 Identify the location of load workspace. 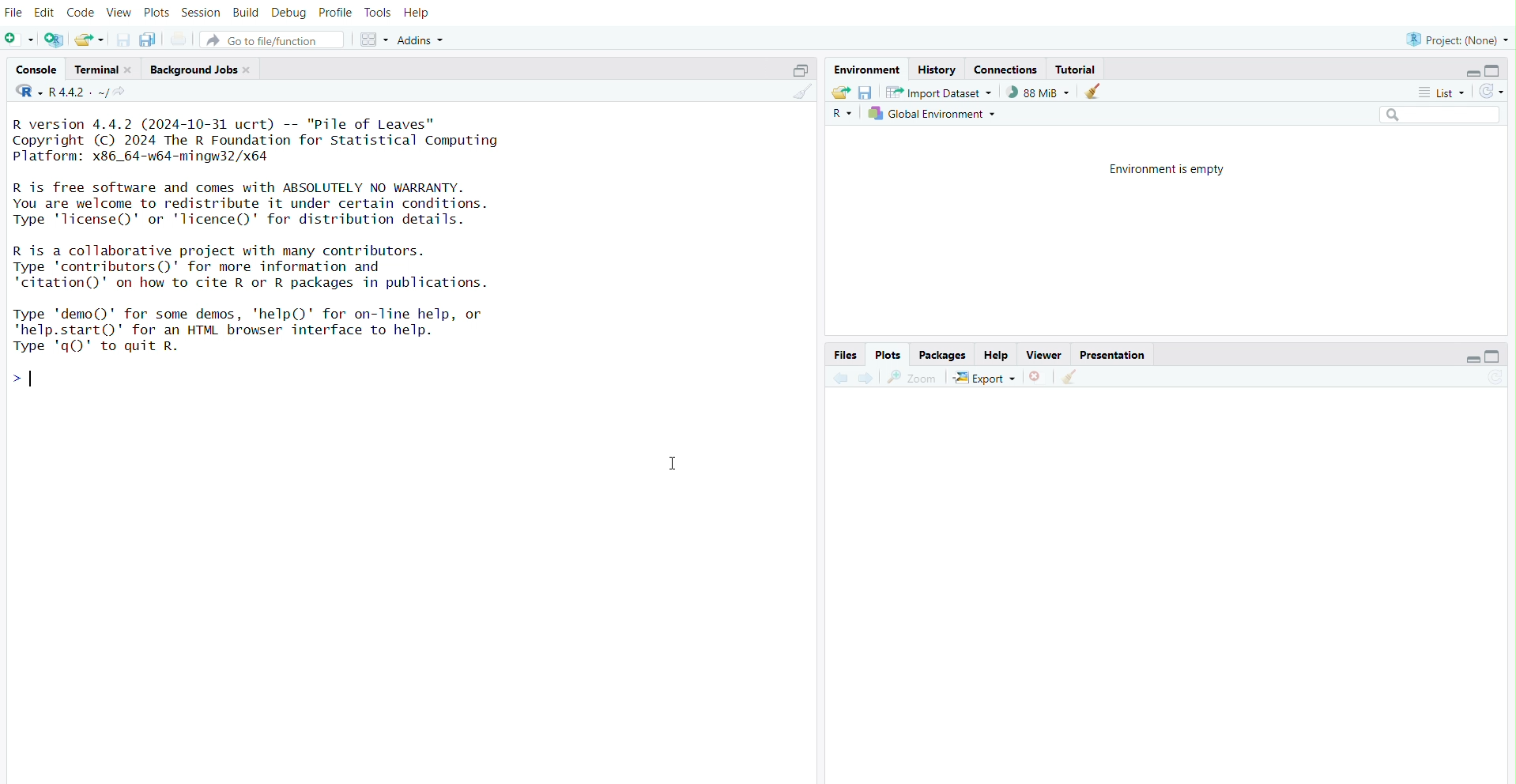
(839, 92).